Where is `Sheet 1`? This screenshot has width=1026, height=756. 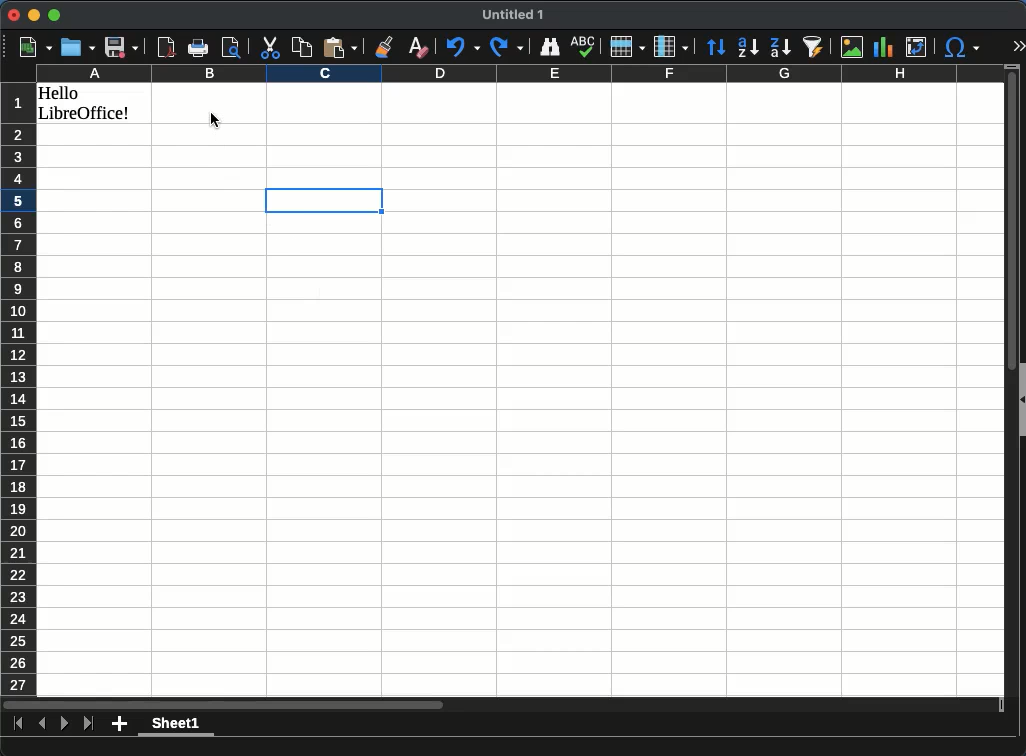
Sheet 1 is located at coordinates (176, 726).